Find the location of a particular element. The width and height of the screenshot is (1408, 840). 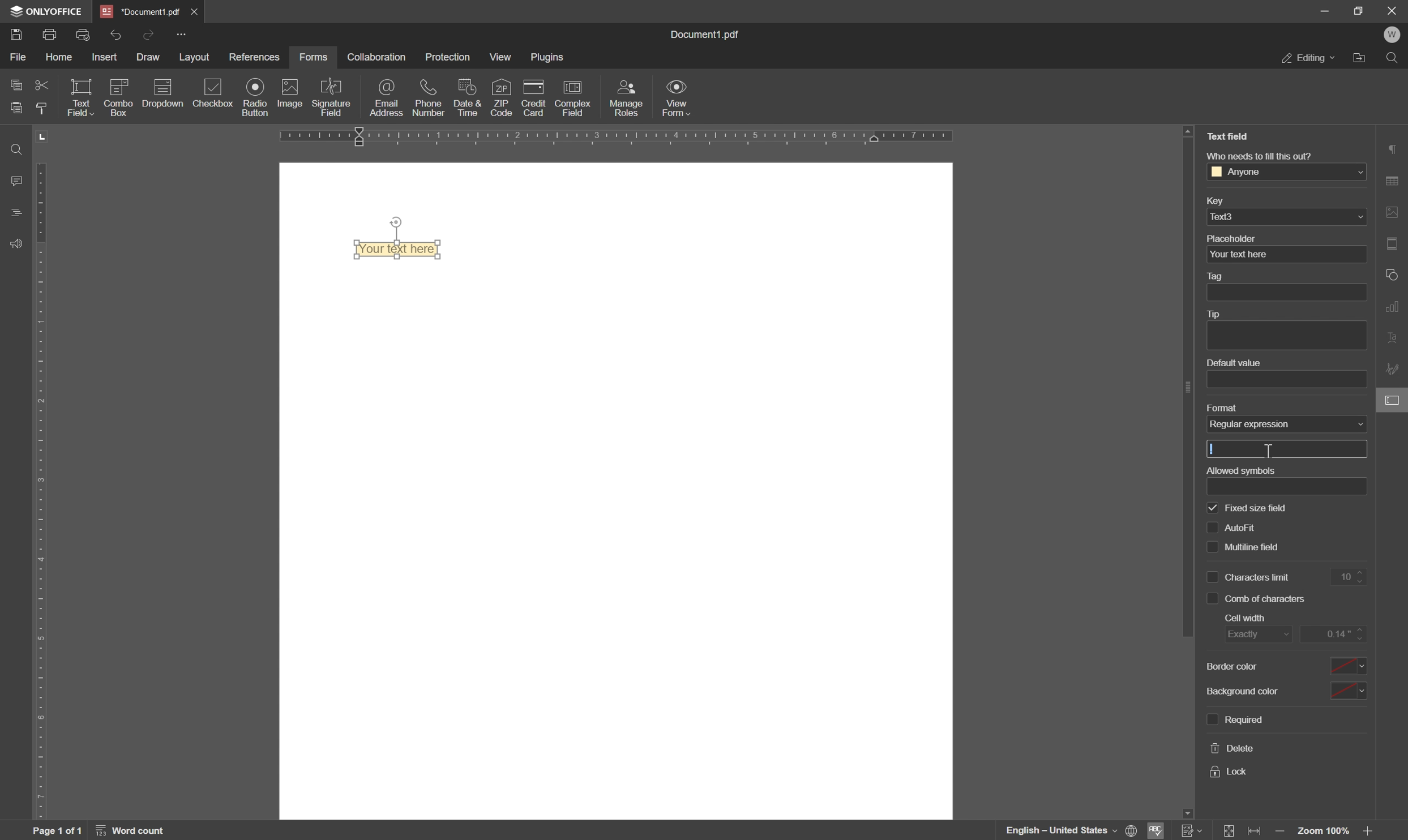

word count is located at coordinates (134, 830).